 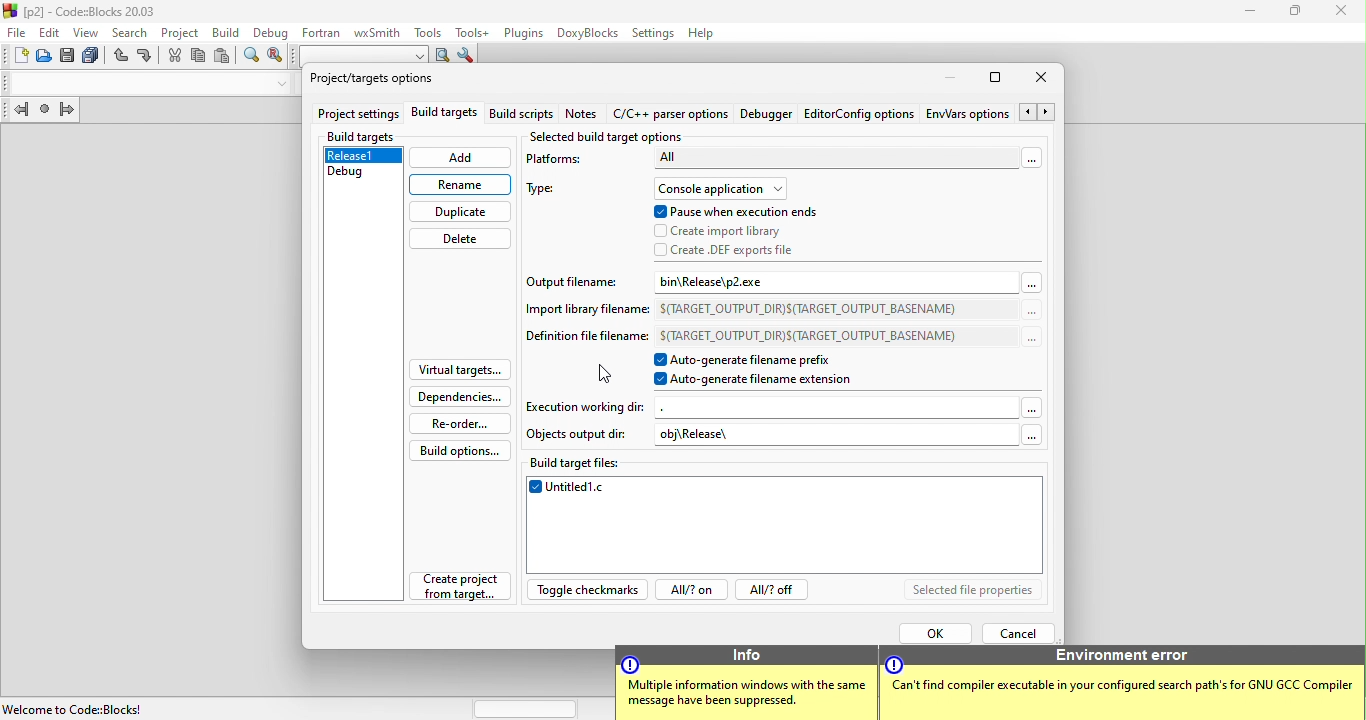 What do you see at coordinates (47, 112) in the screenshot?
I see `last jump` at bounding box center [47, 112].